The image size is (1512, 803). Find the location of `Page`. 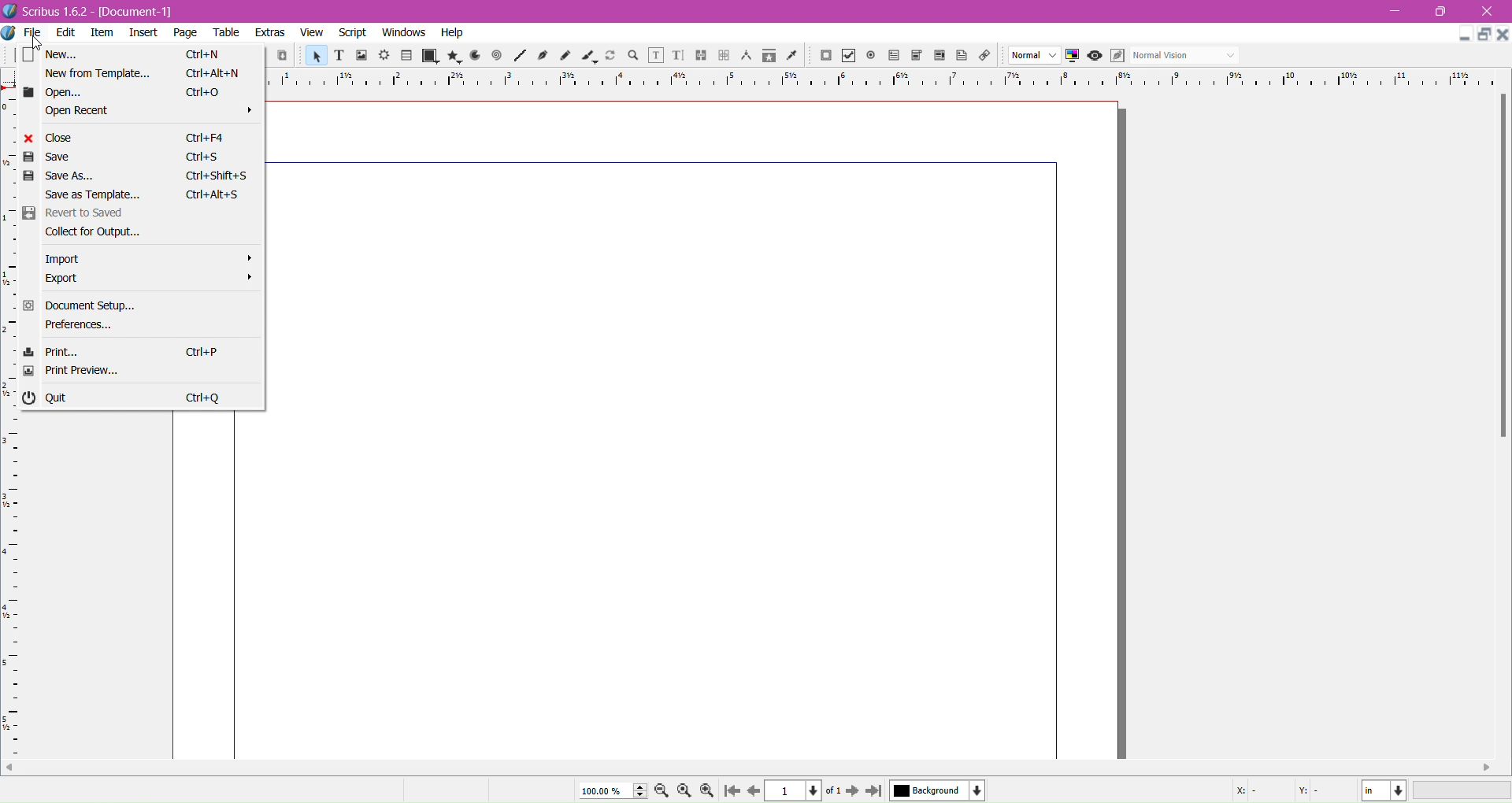

Page is located at coordinates (186, 33).